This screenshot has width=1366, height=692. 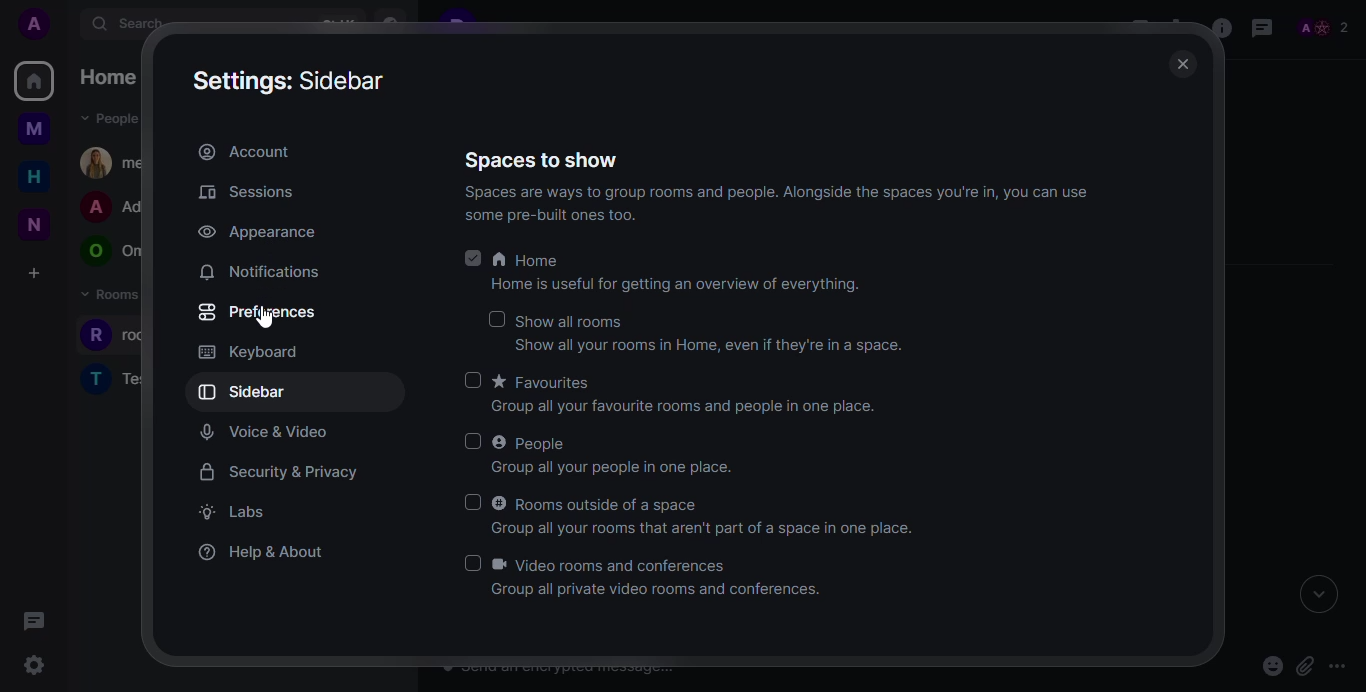 I want to click on Home is useful for getting an overview of everything., so click(x=674, y=285).